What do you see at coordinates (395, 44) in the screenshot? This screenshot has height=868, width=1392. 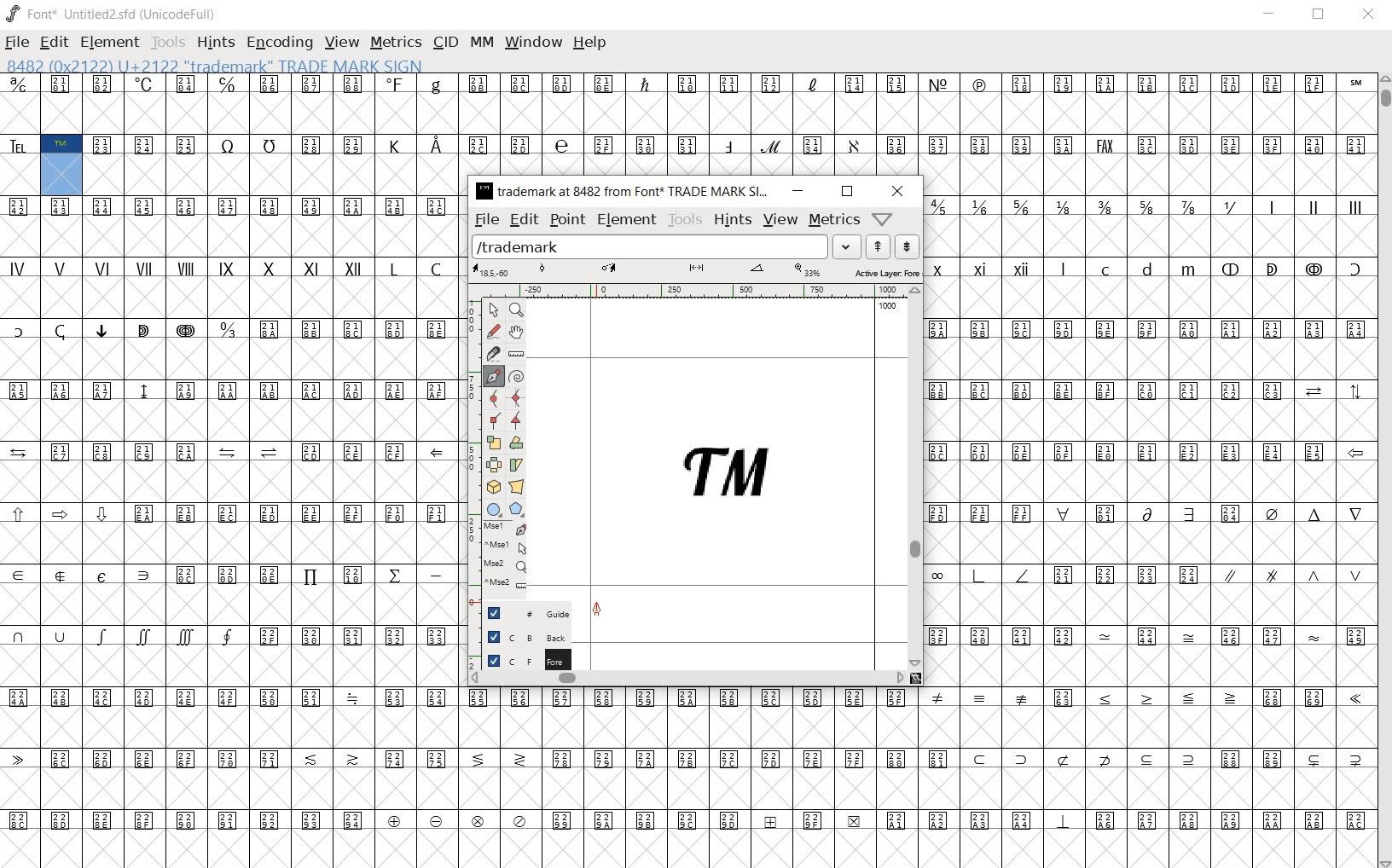 I see `METRICS` at bounding box center [395, 44].